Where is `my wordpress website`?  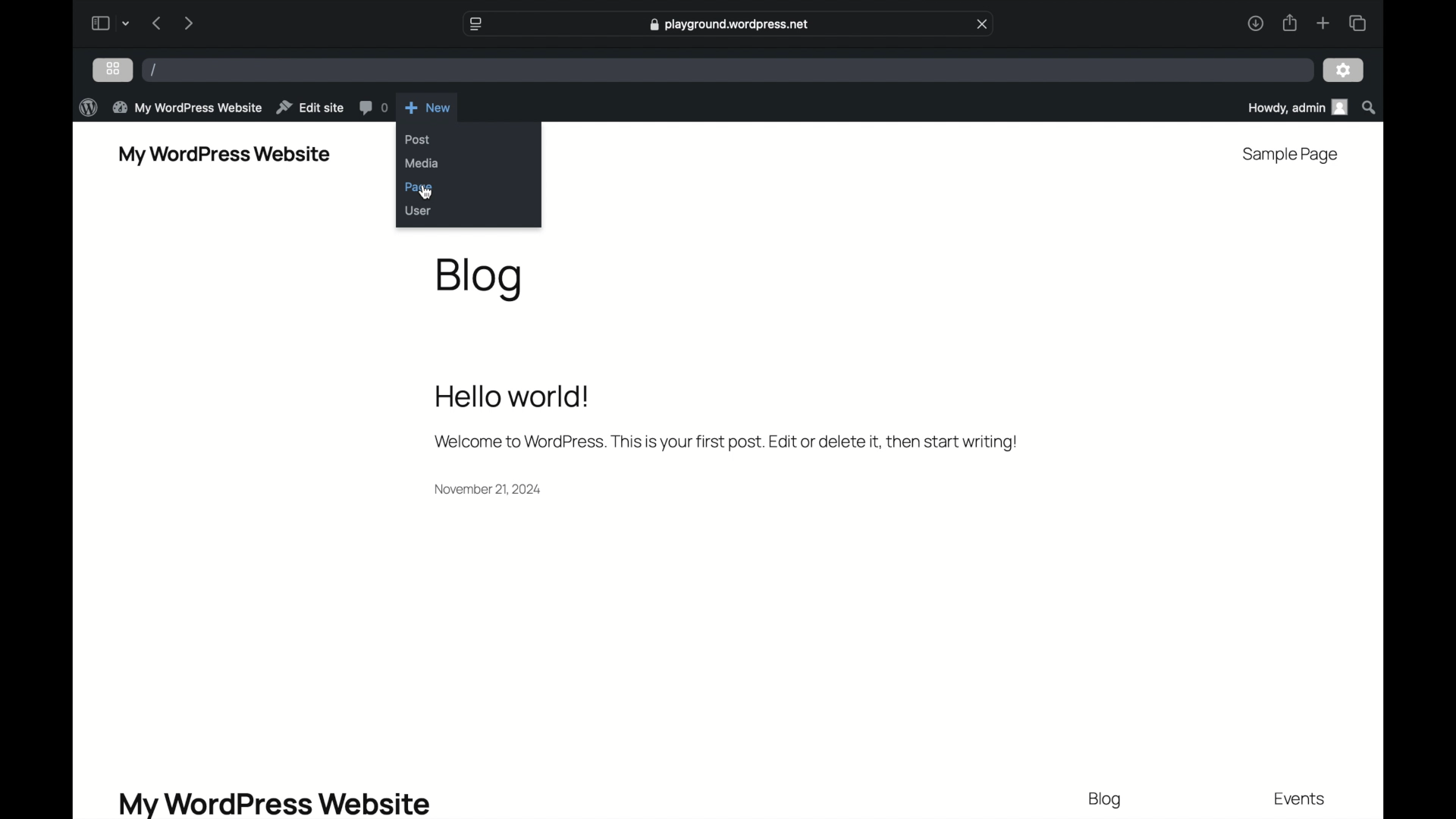
my wordpress website is located at coordinates (224, 155).